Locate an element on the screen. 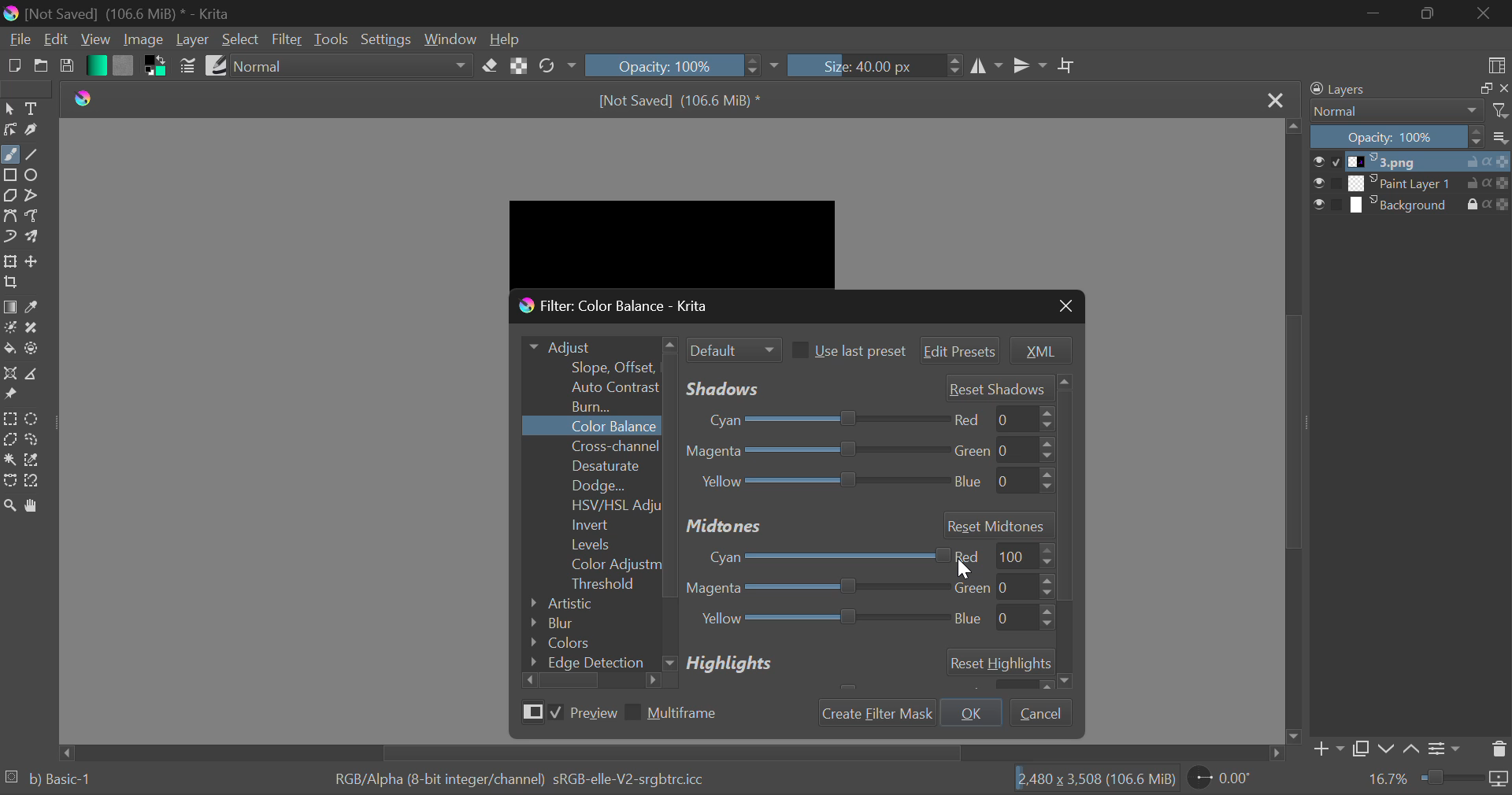 The image size is (1512, 795). Copy Layer is located at coordinates (1365, 749).